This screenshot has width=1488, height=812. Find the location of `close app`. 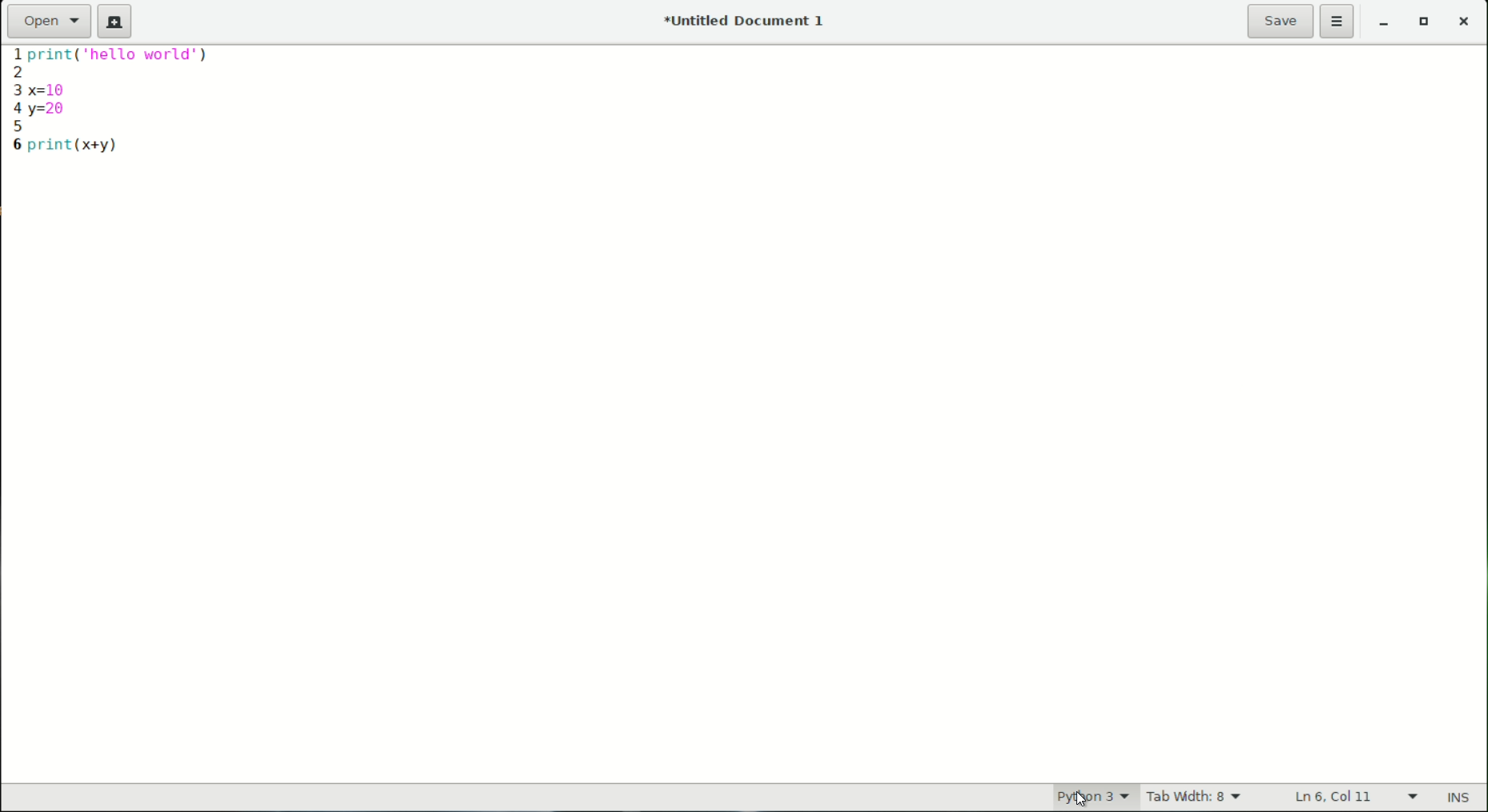

close app is located at coordinates (1466, 24).